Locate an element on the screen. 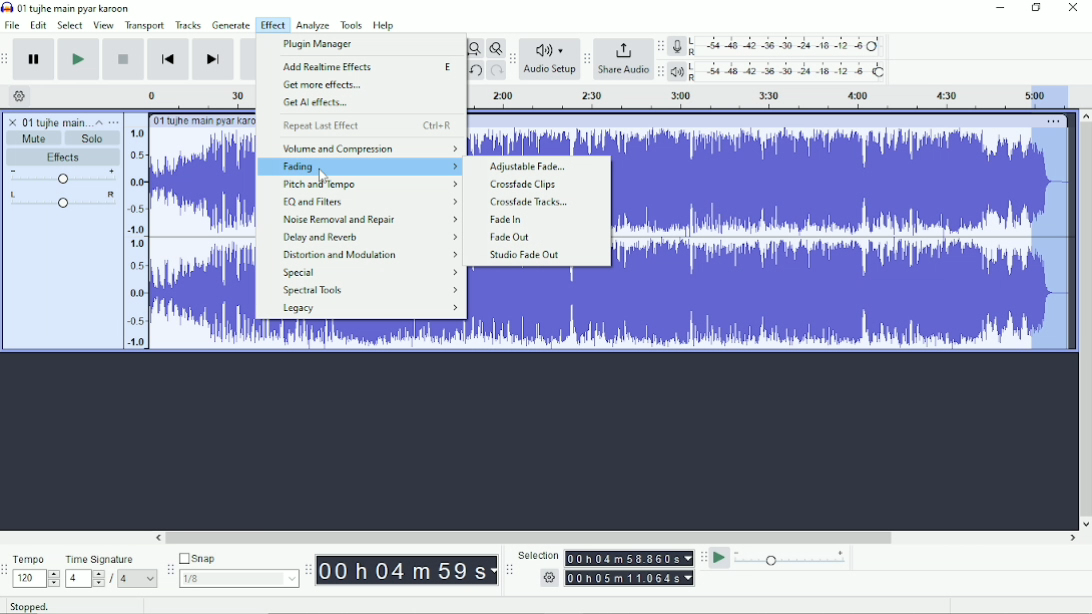 This screenshot has width=1092, height=614. Snap is located at coordinates (239, 559).